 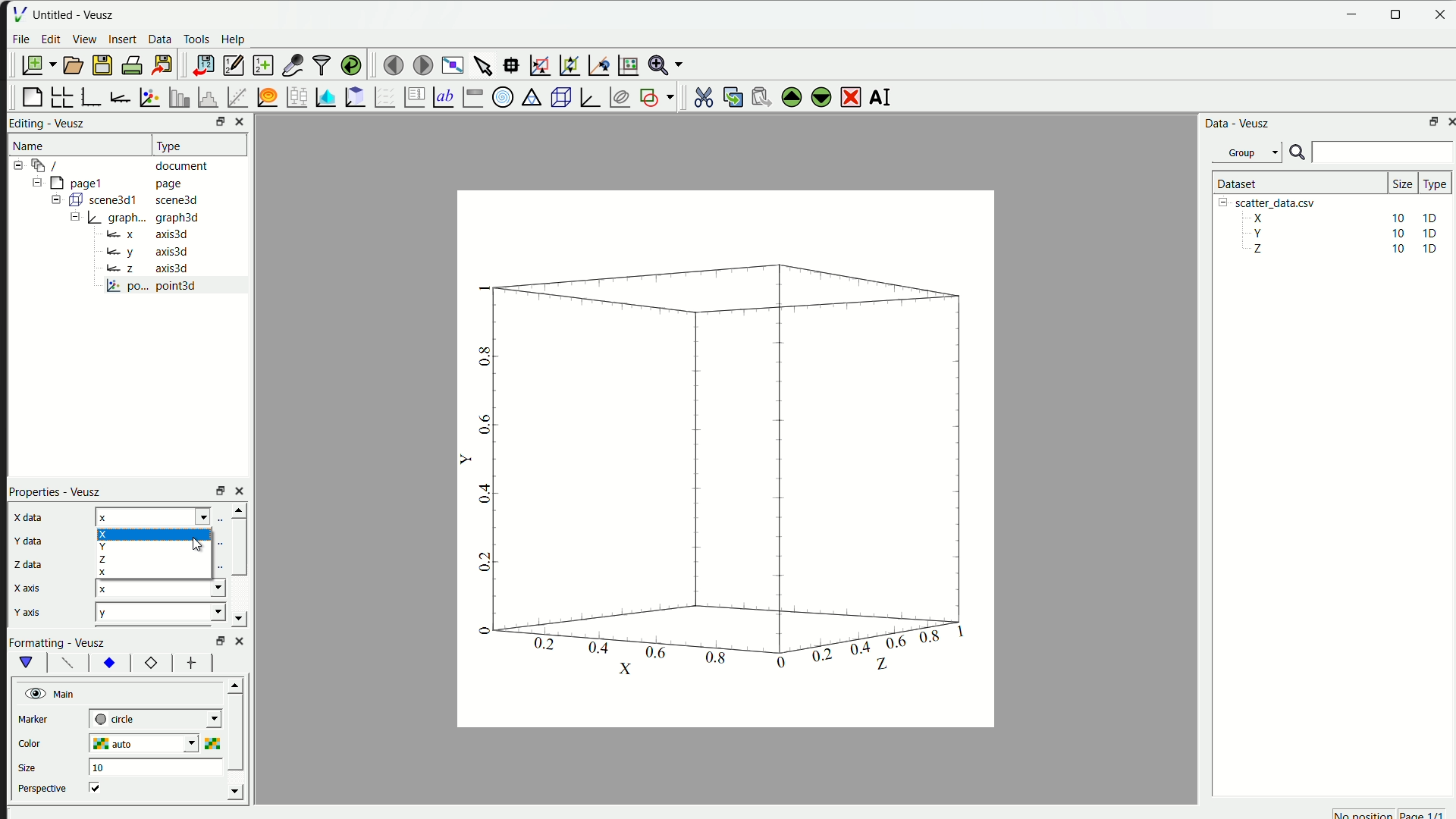 What do you see at coordinates (18, 12) in the screenshot?
I see `| File` at bounding box center [18, 12].